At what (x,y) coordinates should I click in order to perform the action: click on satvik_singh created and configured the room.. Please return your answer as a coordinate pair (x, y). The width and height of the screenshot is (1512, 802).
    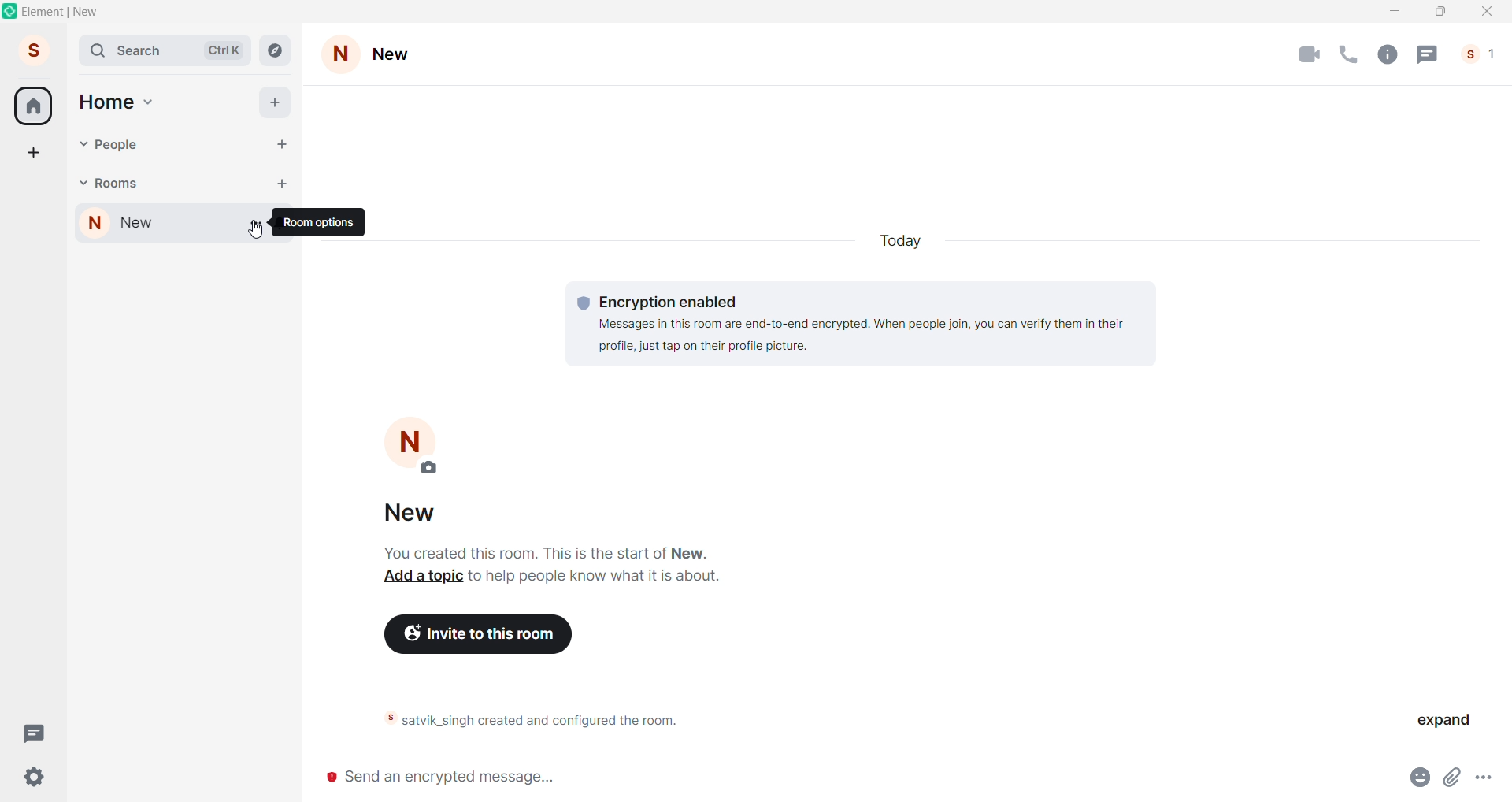
    Looking at the image, I should click on (559, 721).